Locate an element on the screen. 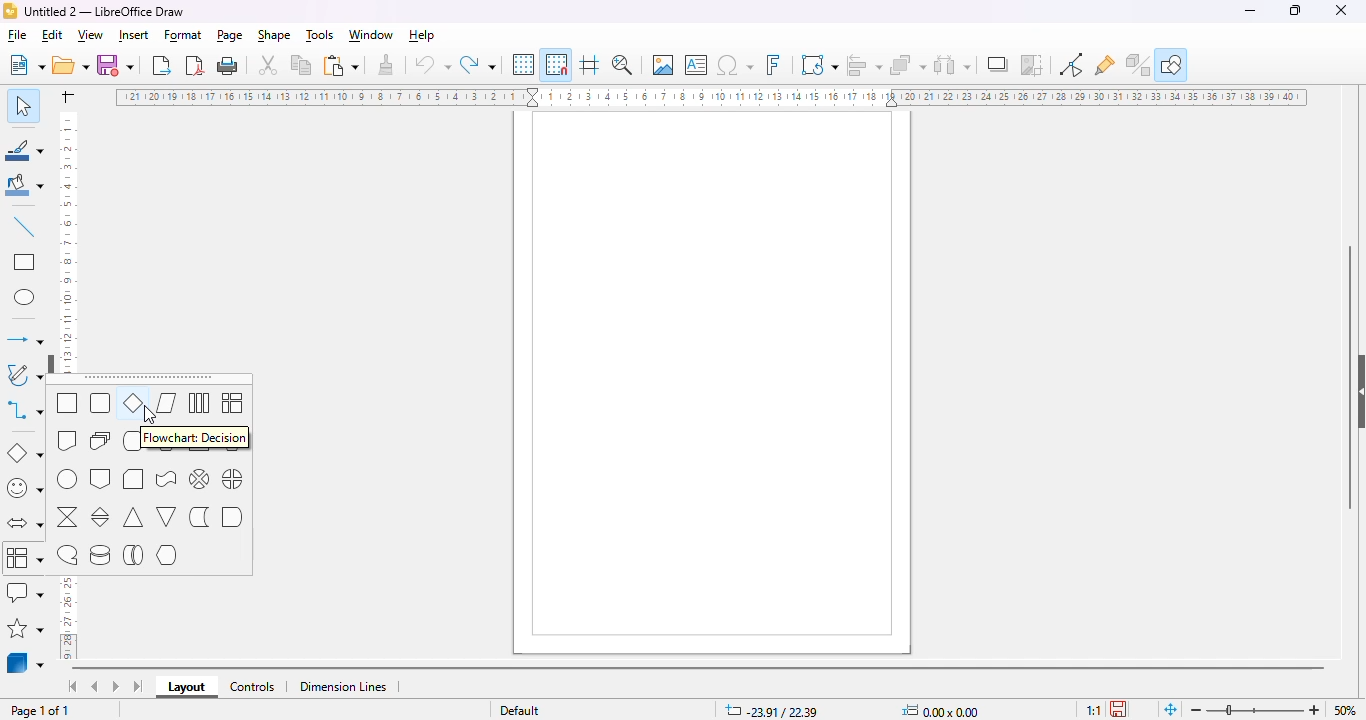 This screenshot has height=720, width=1366. window is located at coordinates (372, 35).